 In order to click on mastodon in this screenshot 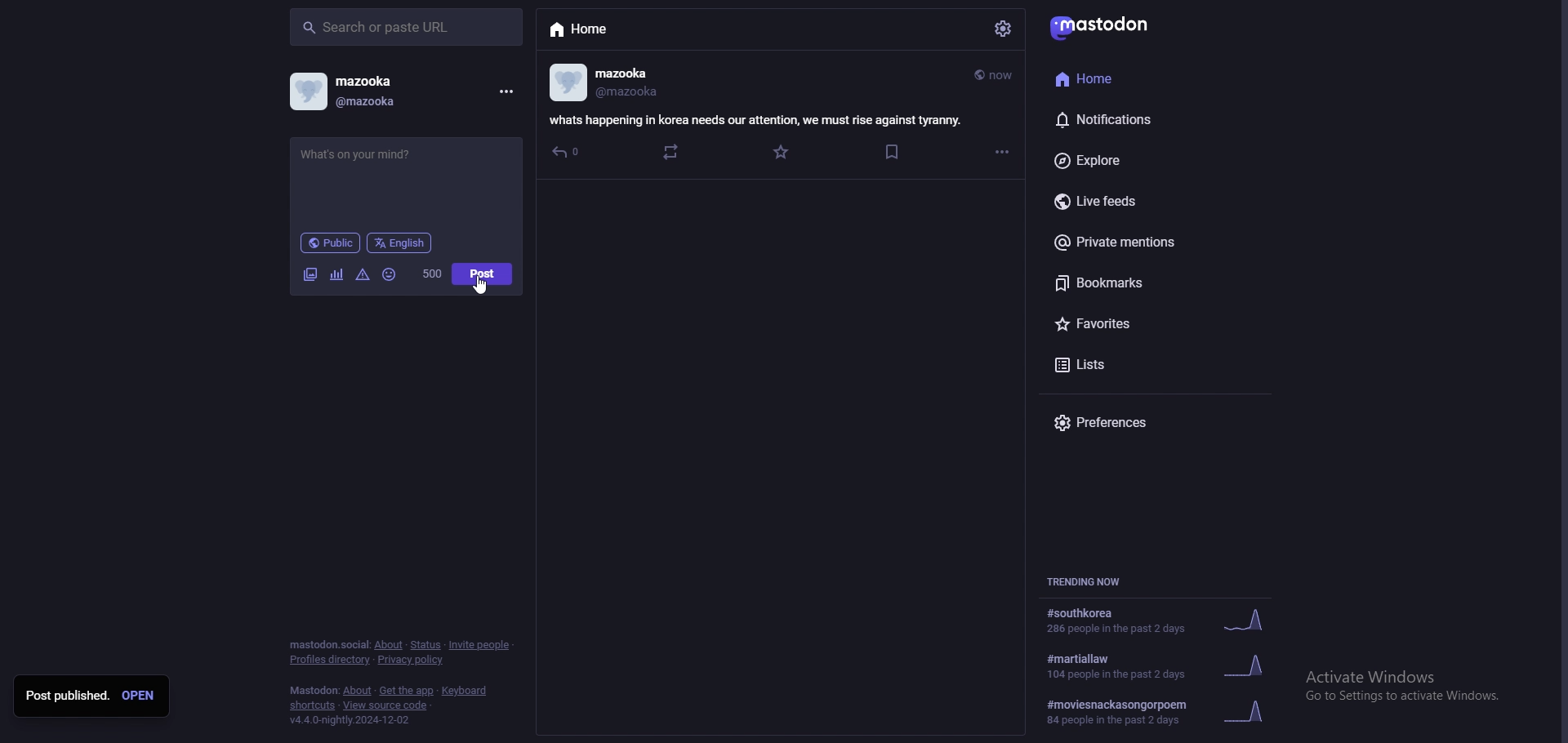, I will do `click(1104, 26)`.